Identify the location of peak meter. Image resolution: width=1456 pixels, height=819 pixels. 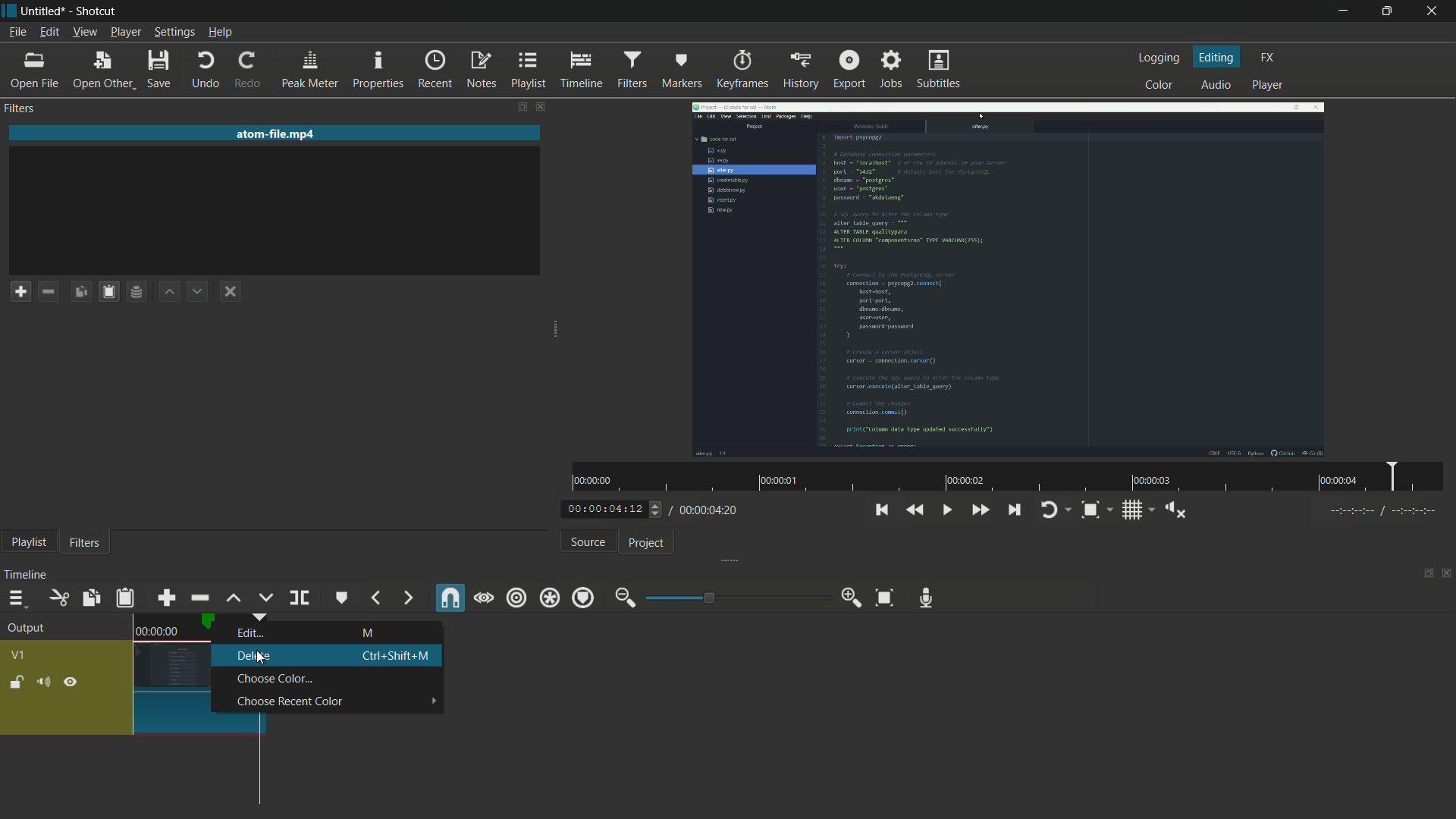
(308, 71).